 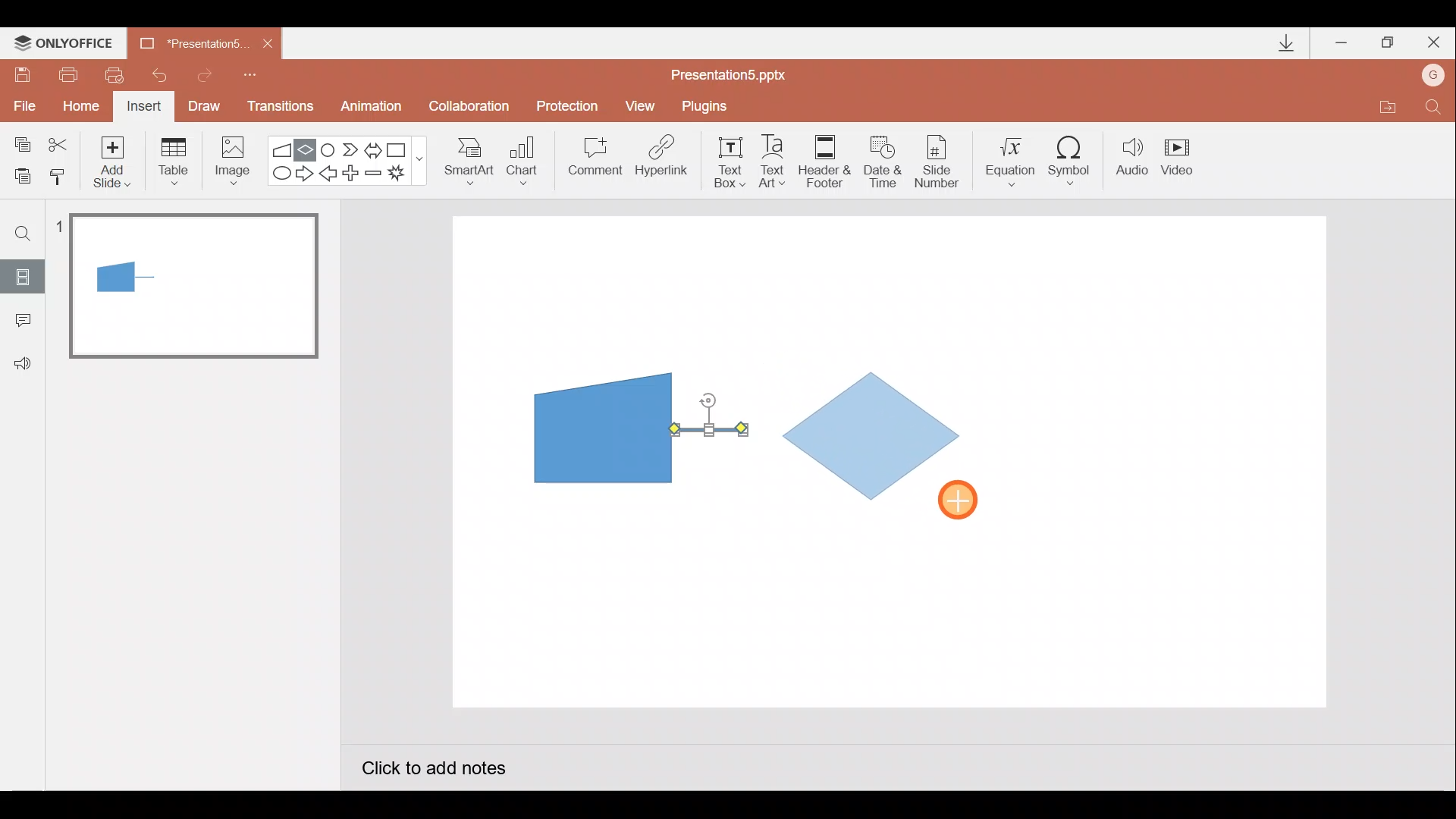 What do you see at coordinates (881, 158) in the screenshot?
I see `Date & time` at bounding box center [881, 158].